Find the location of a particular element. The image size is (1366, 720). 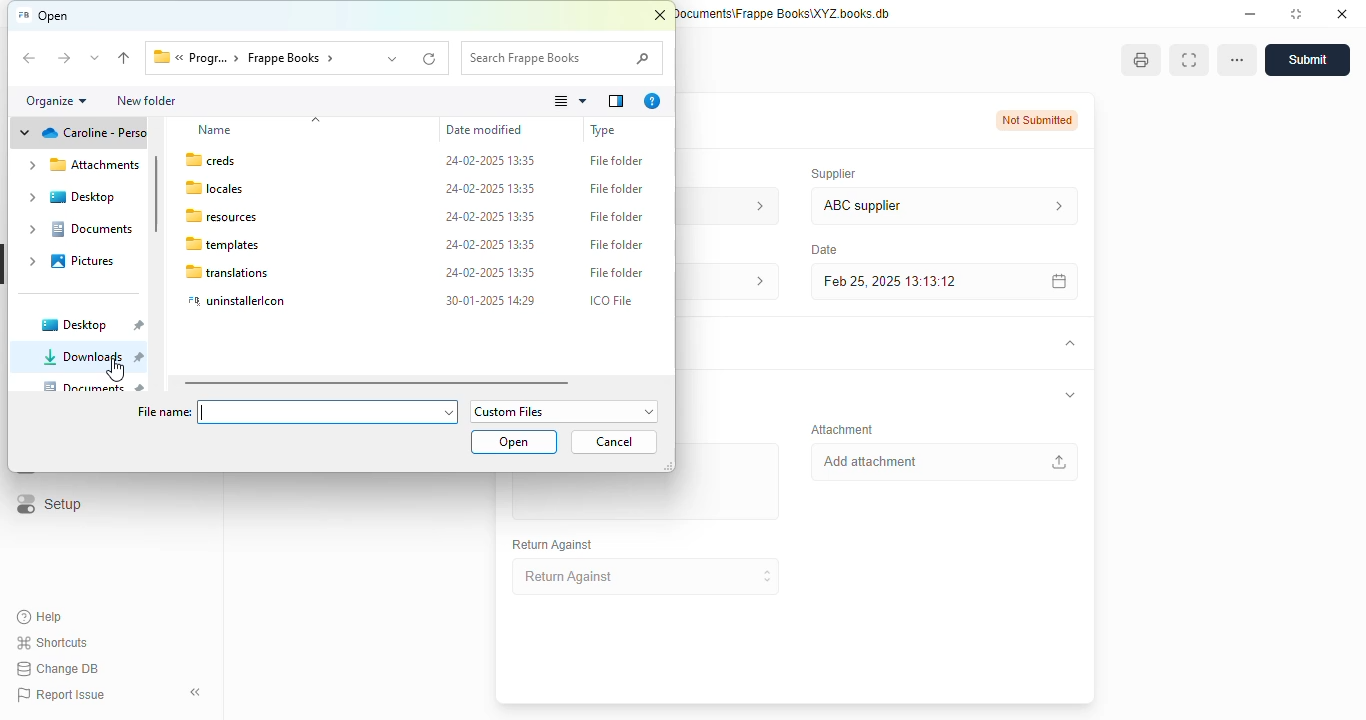

File folder is located at coordinates (617, 216).